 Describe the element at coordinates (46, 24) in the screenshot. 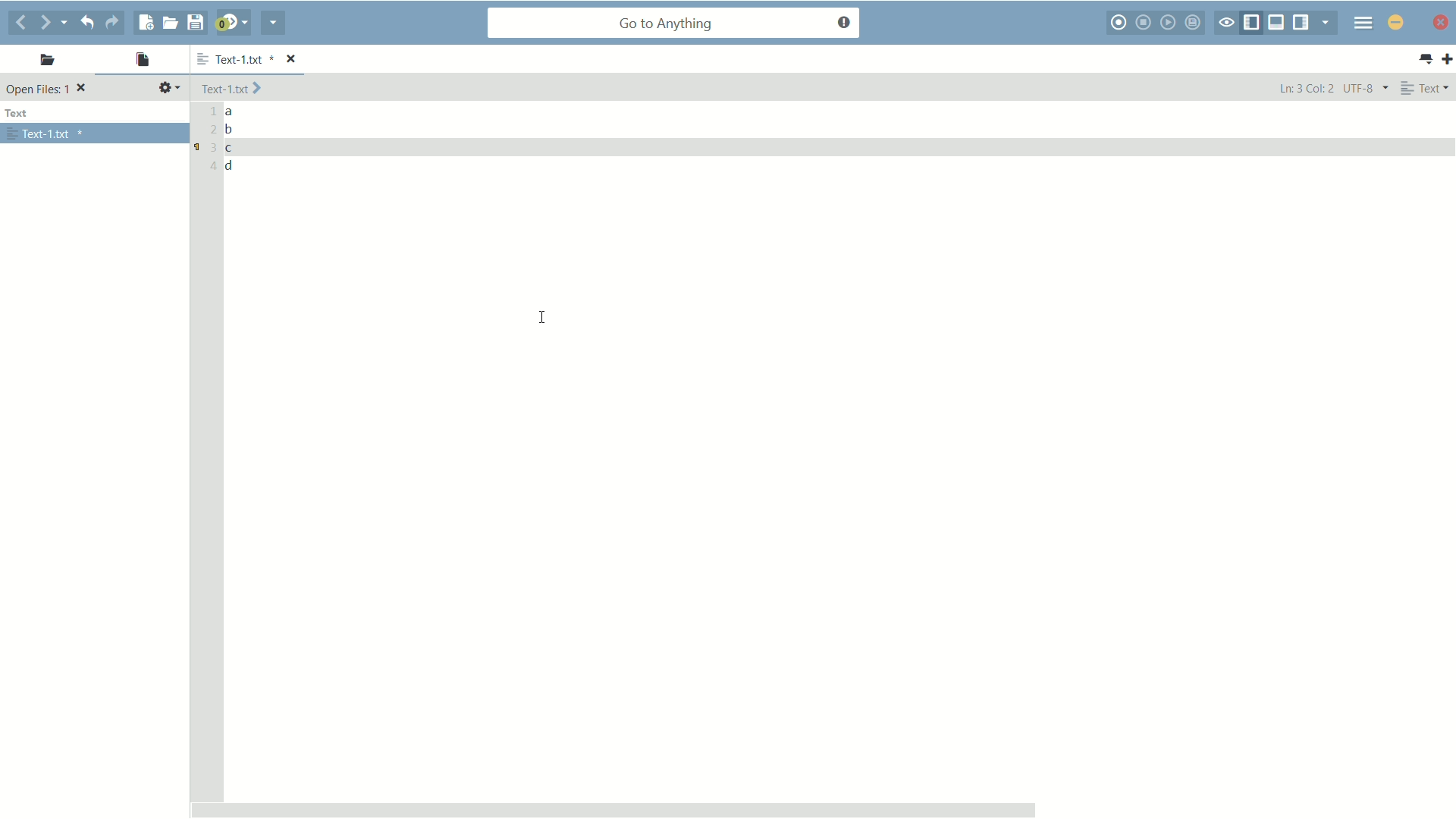

I see `go forward` at that location.